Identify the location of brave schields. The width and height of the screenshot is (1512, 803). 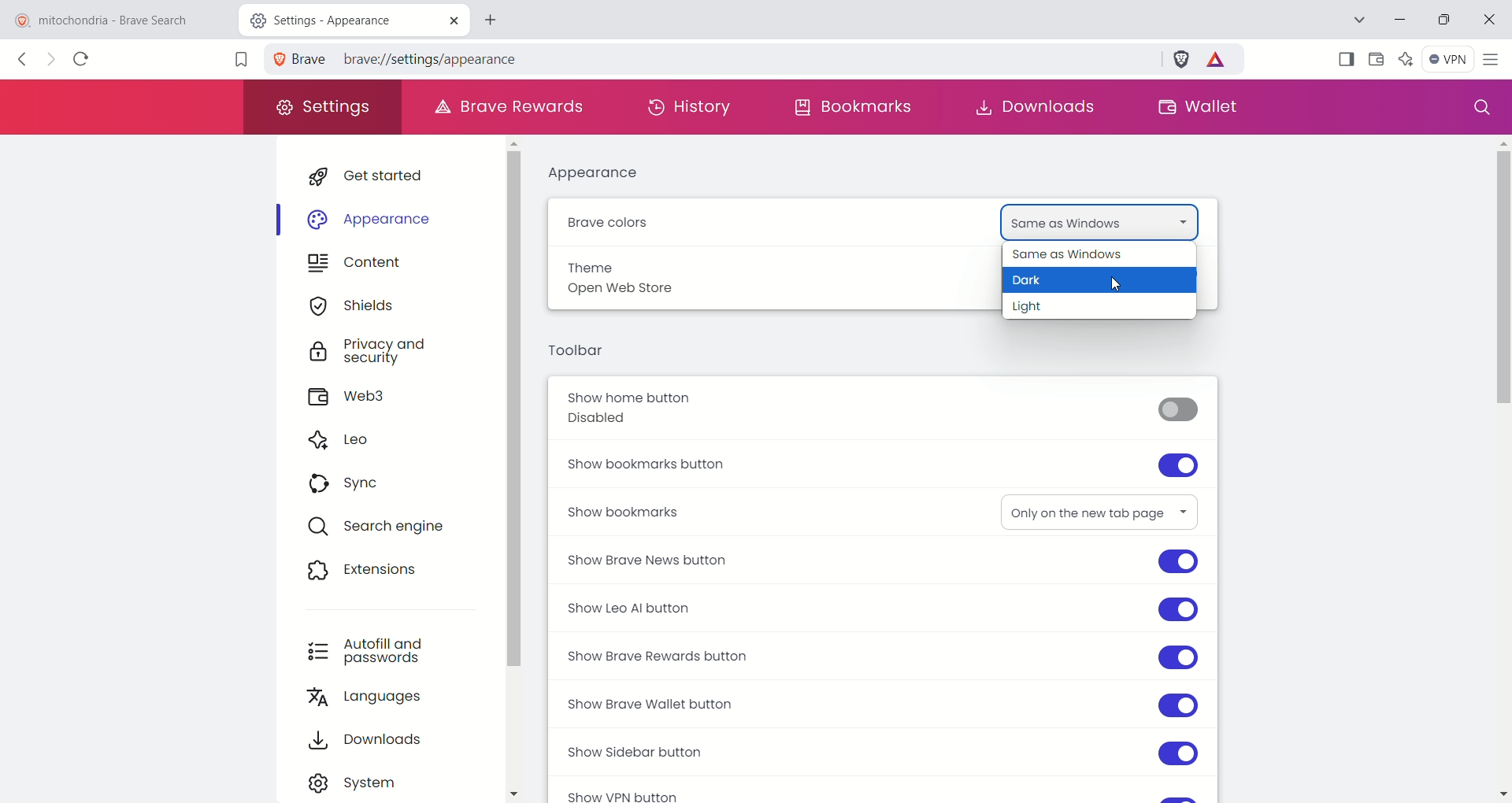
(1182, 58).